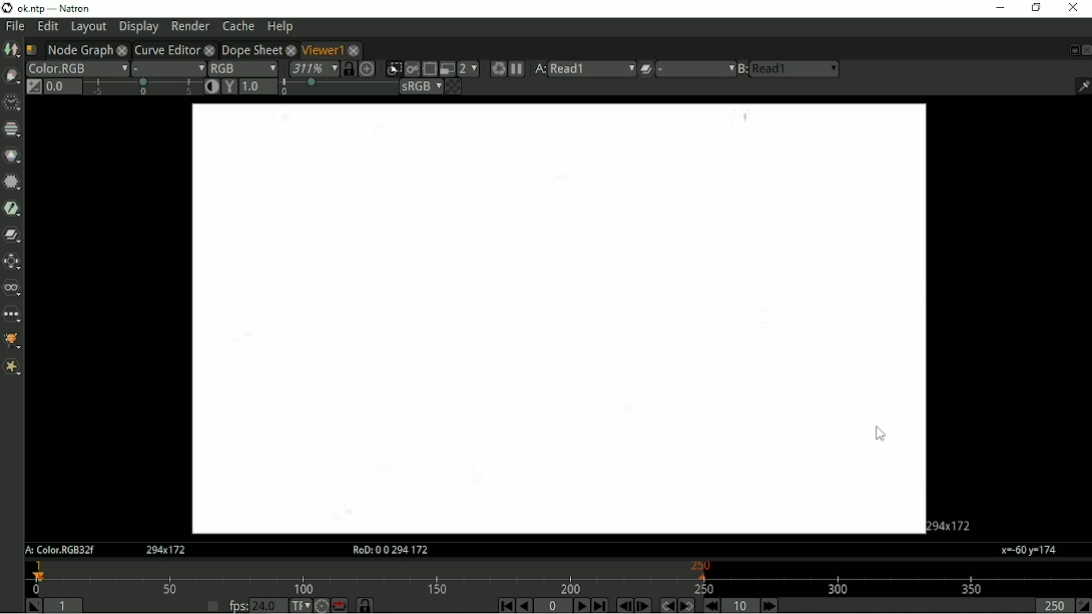 This screenshot has height=614, width=1092. What do you see at coordinates (364, 606) in the screenshot?
I see `Timeline frame range` at bounding box center [364, 606].